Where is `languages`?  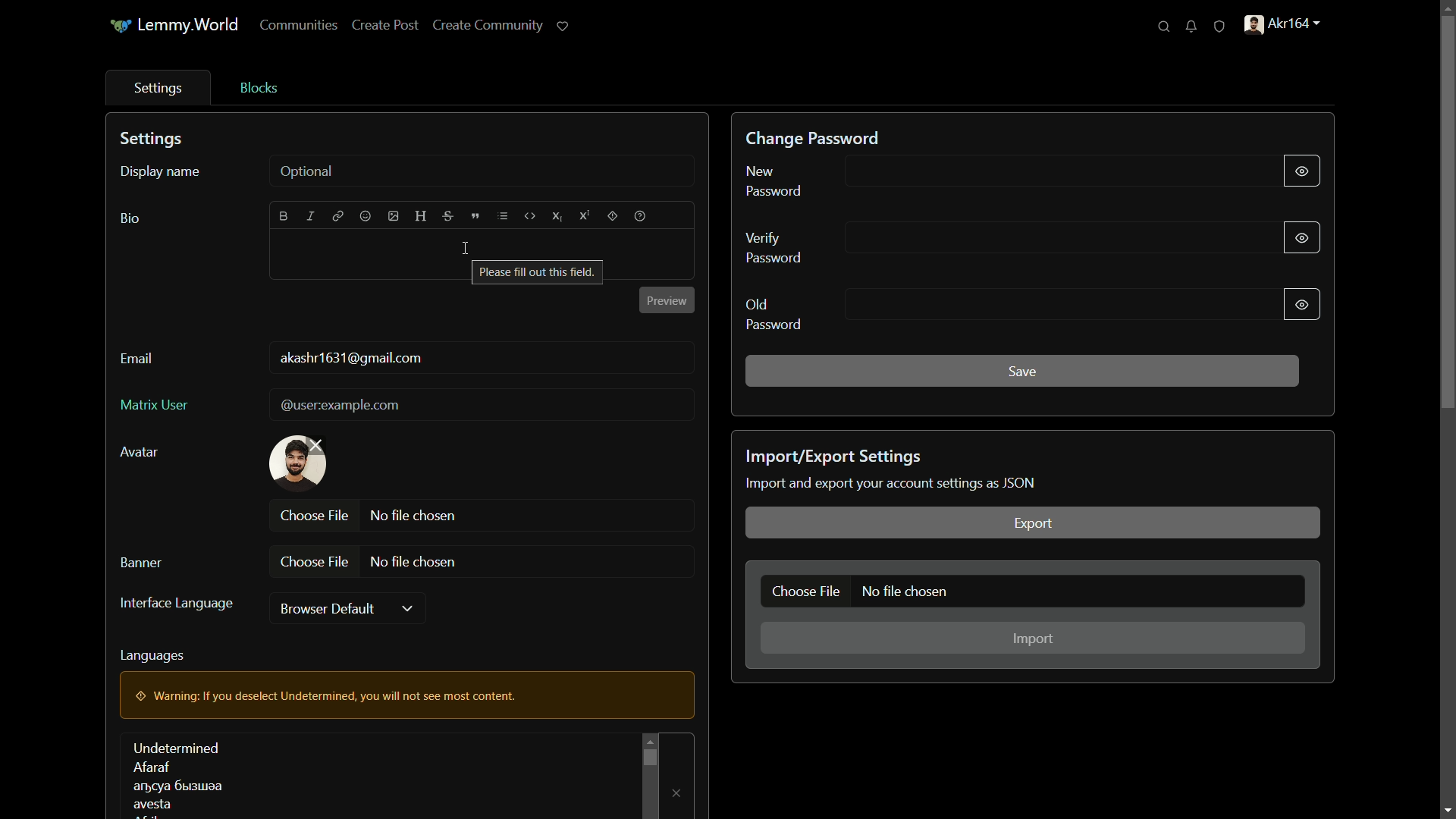 languages is located at coordinates (152, 657).